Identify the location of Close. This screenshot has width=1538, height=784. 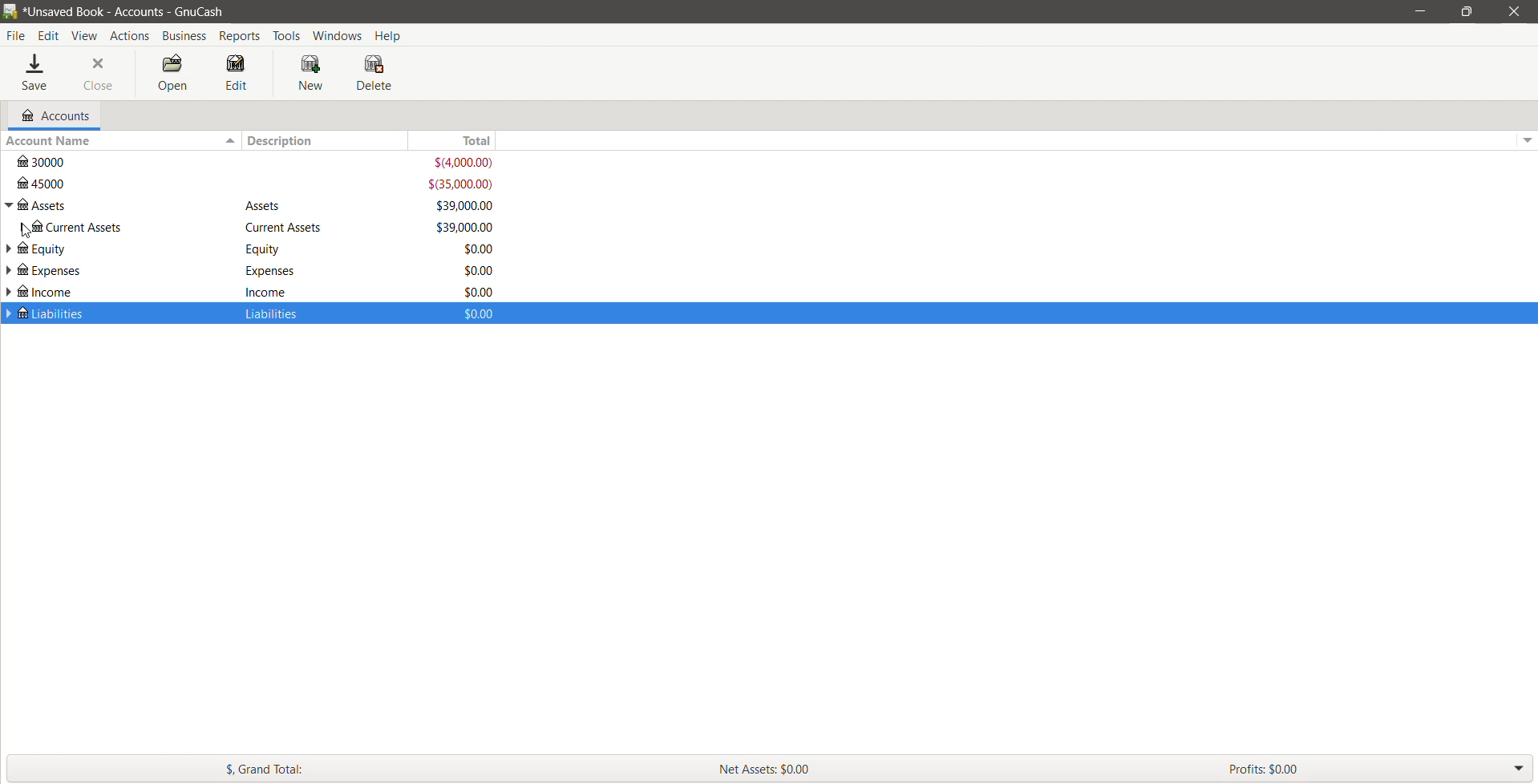
(1512, 11).